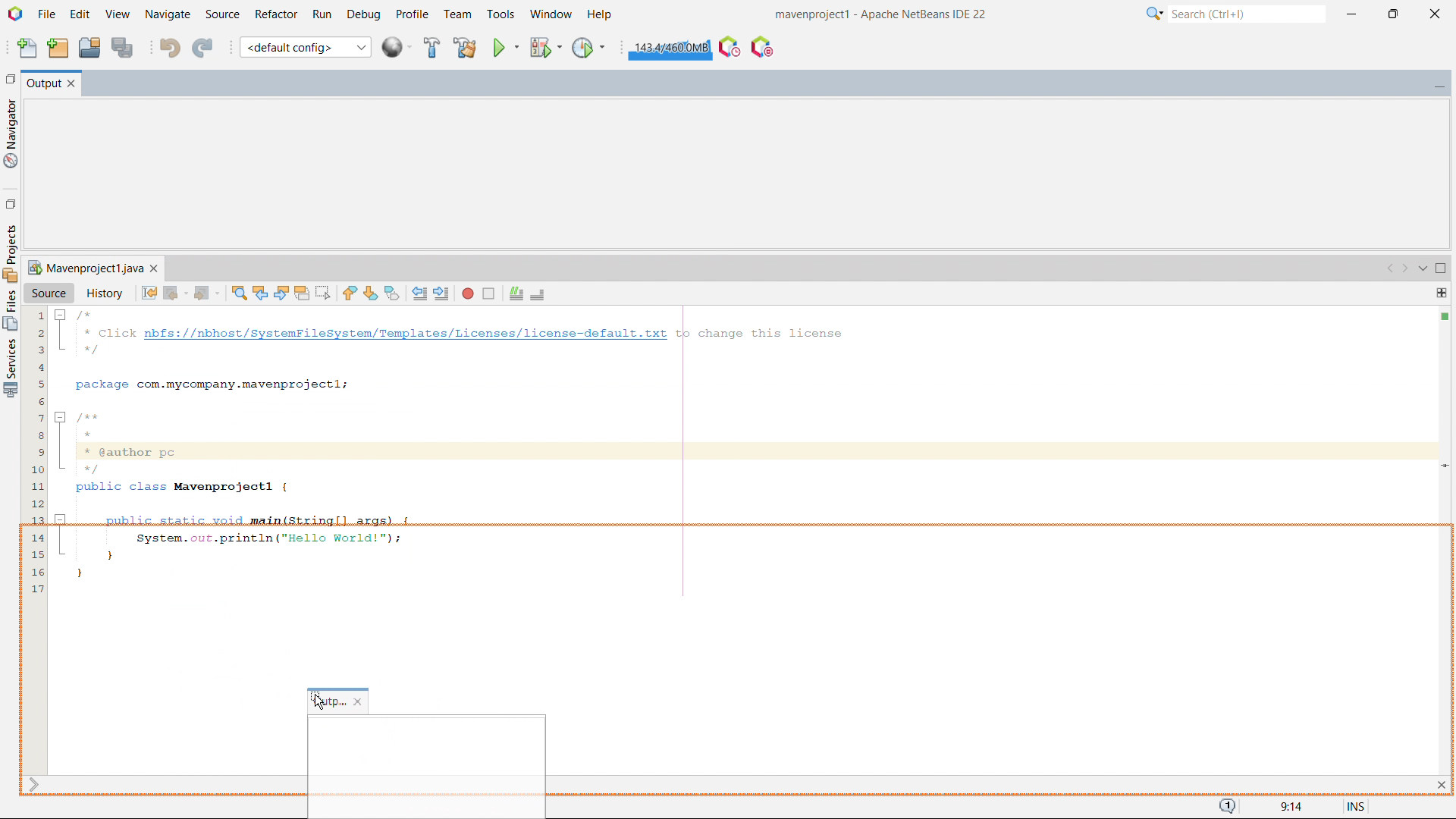  I want to click on maximize, so click(1392, 14).